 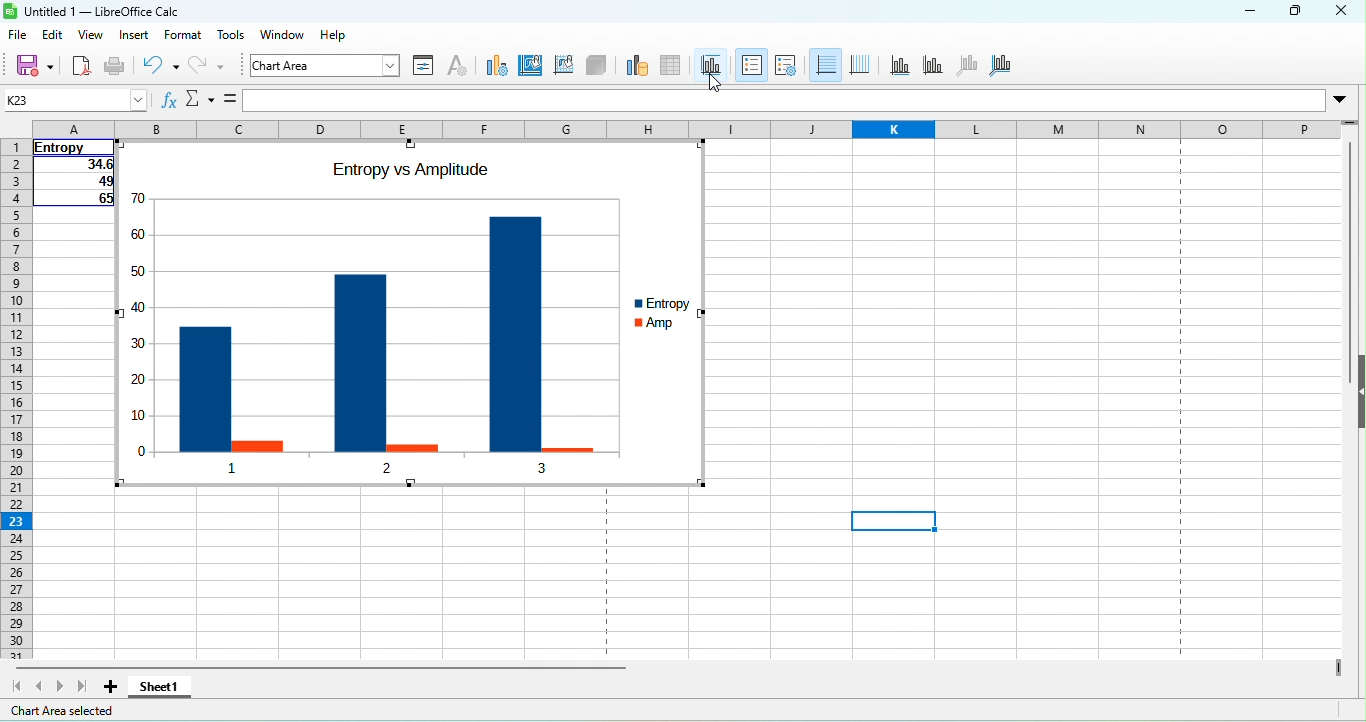 What do you see at coordinates (1010, 69) in the screenshot?
I see `all axes` at bounding box center [1010, 69].